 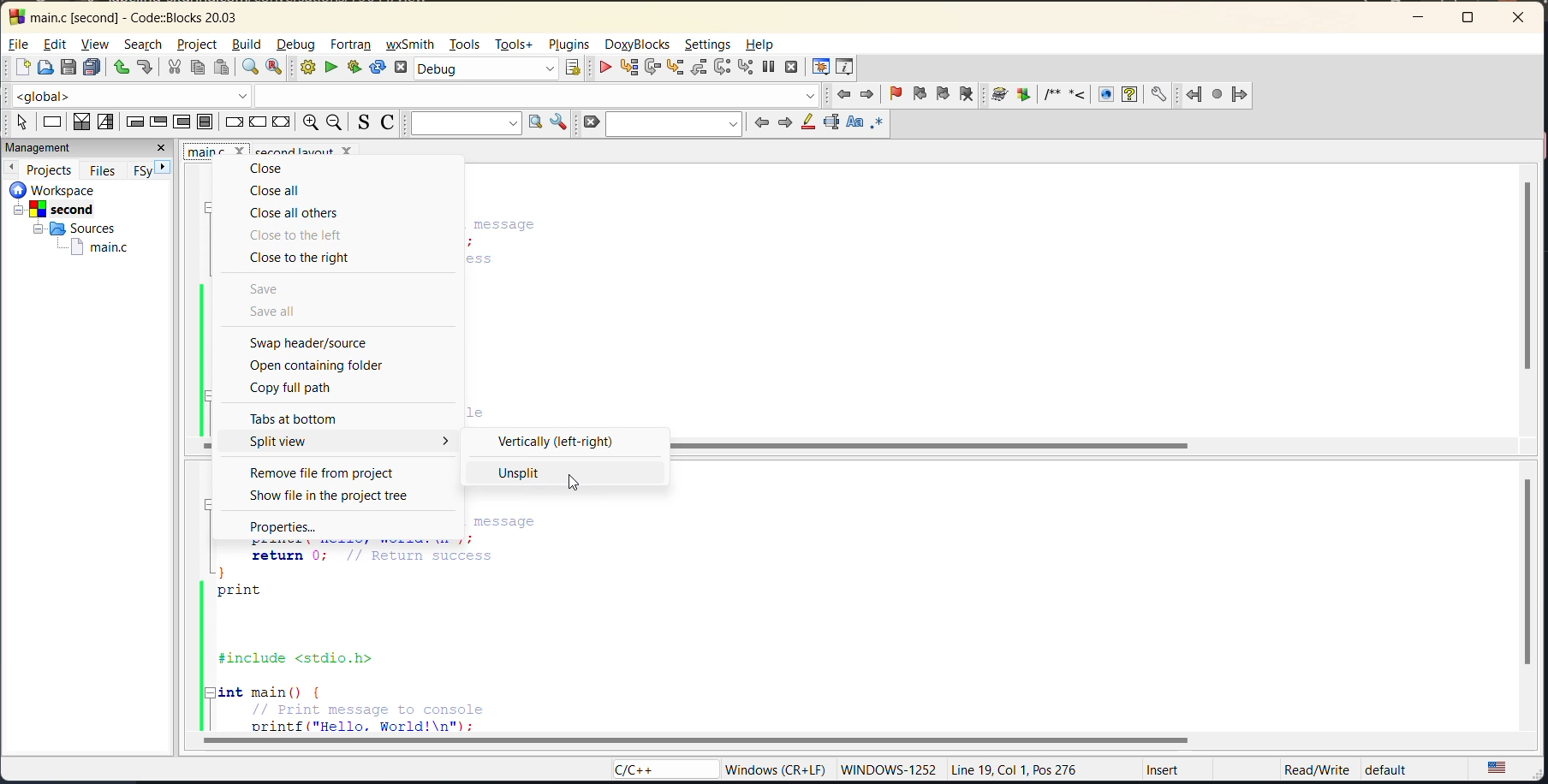 I want to click on previous, so click(x=13, y=168).